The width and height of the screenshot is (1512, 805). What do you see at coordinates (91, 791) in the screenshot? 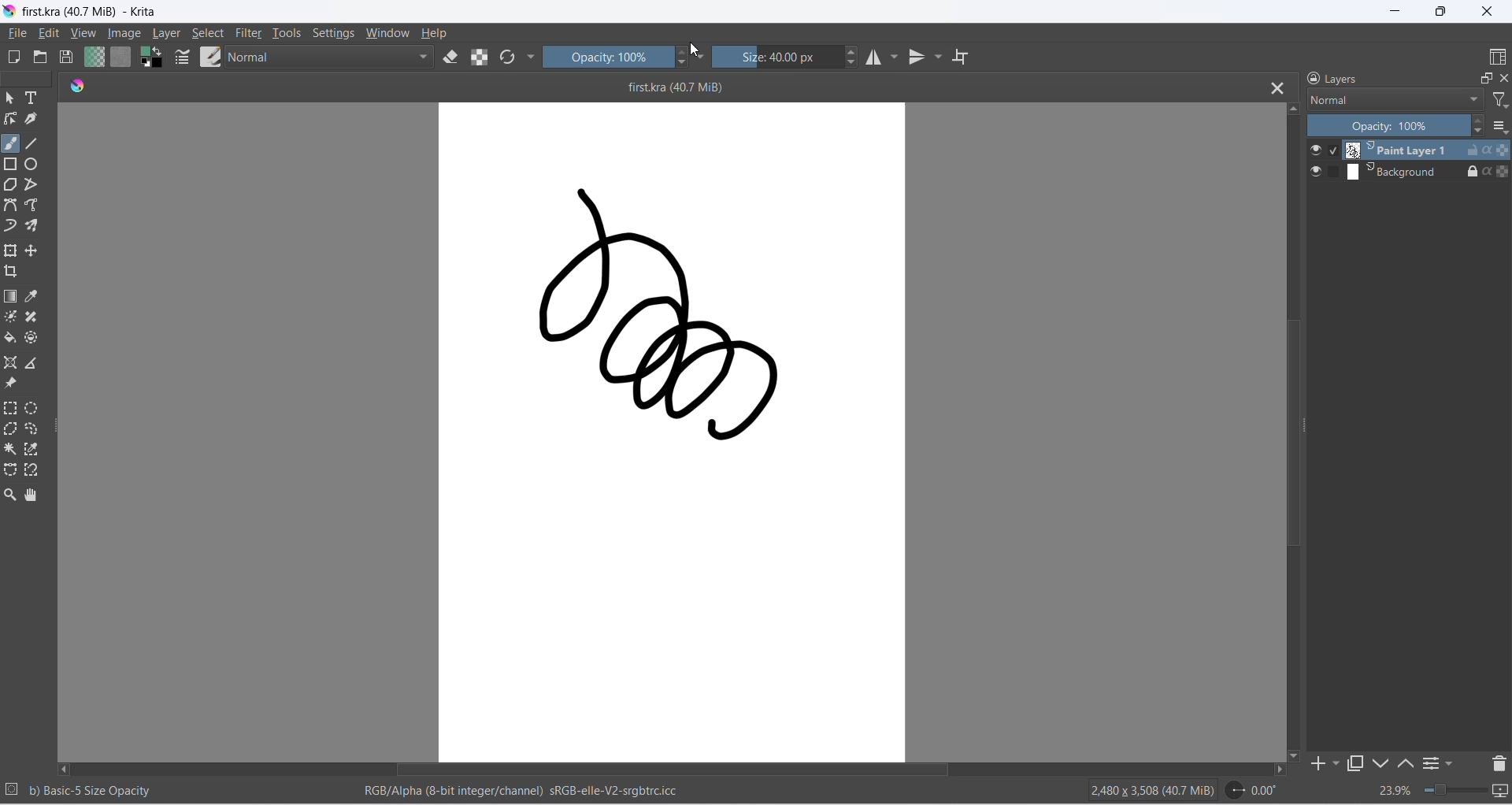
I see `opacity size` at bounding box center [91, 791].